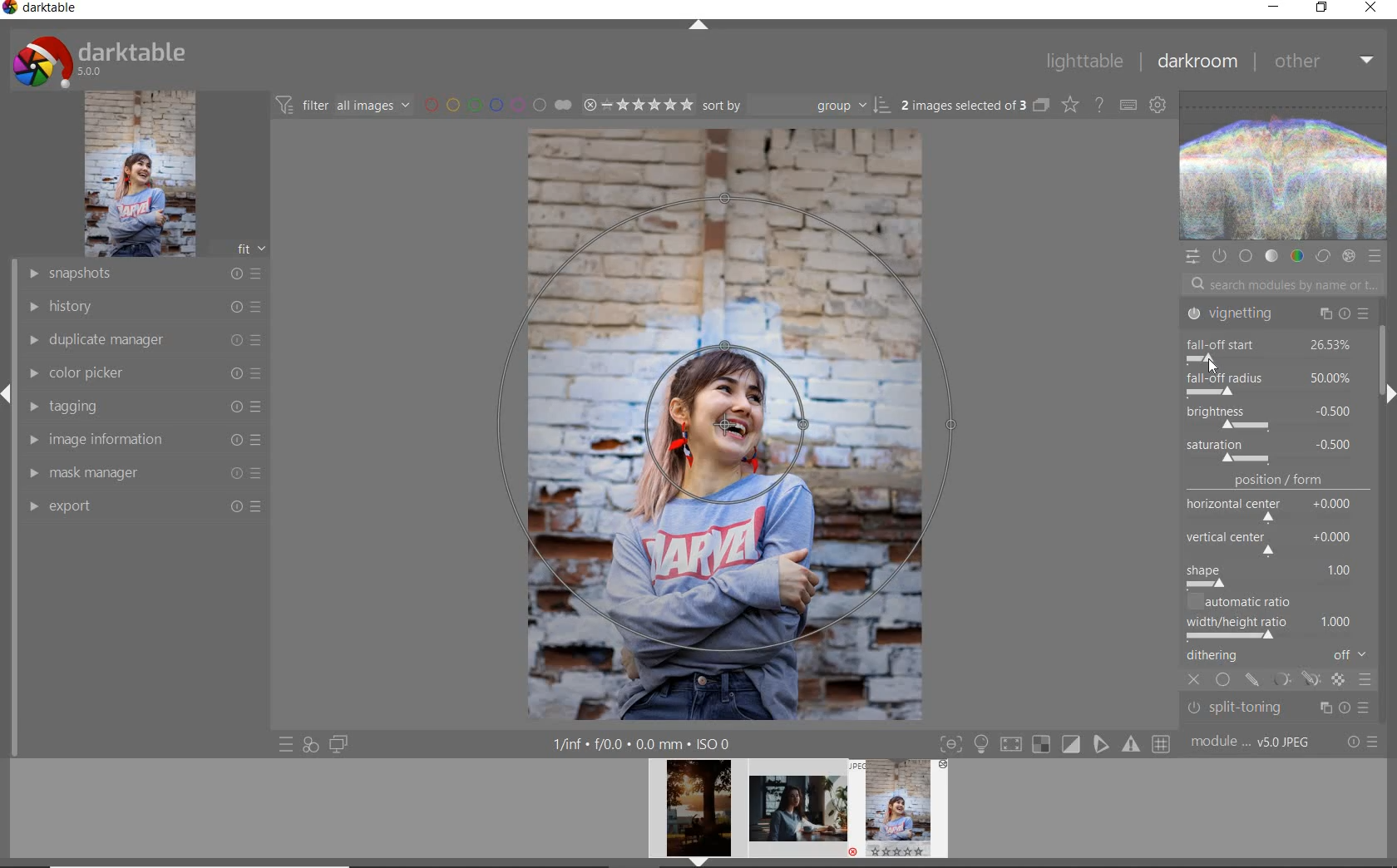 Image resolution: width=1397 pixels, height=868 pixels. I want to click on system logo and name, so click(102, 59).